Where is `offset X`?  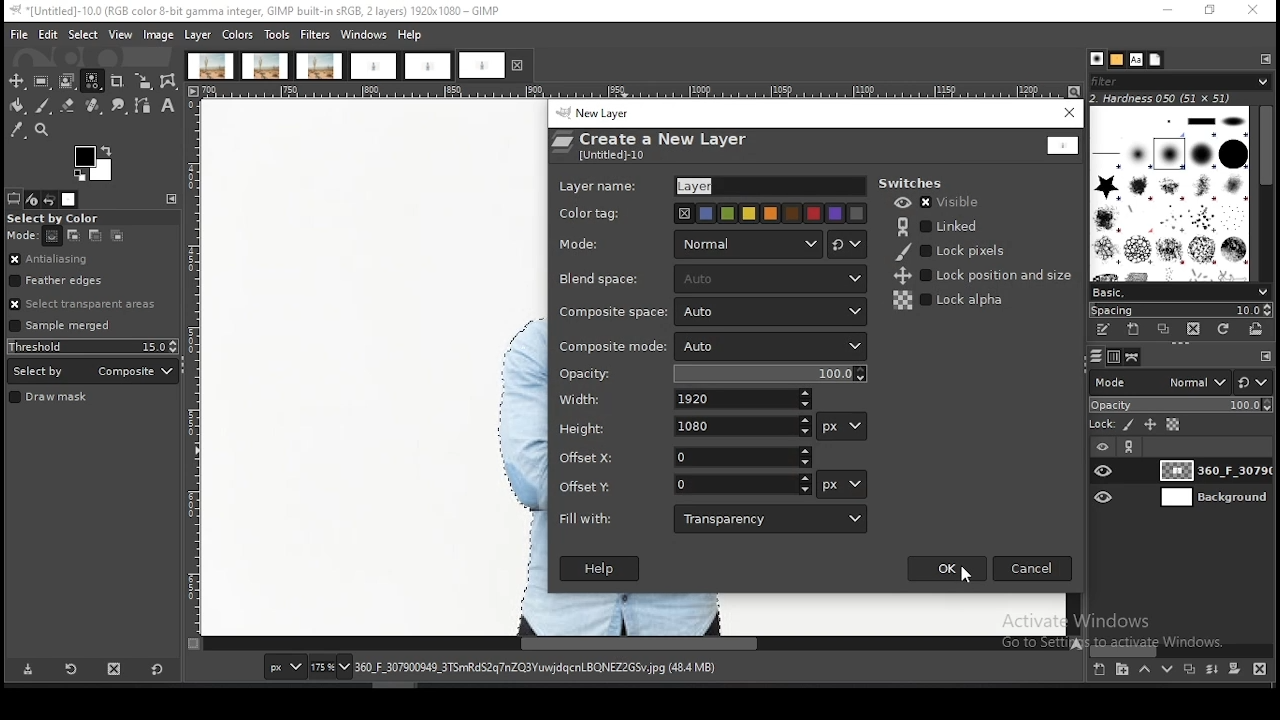 offset X is located at coordinates (584, 457).